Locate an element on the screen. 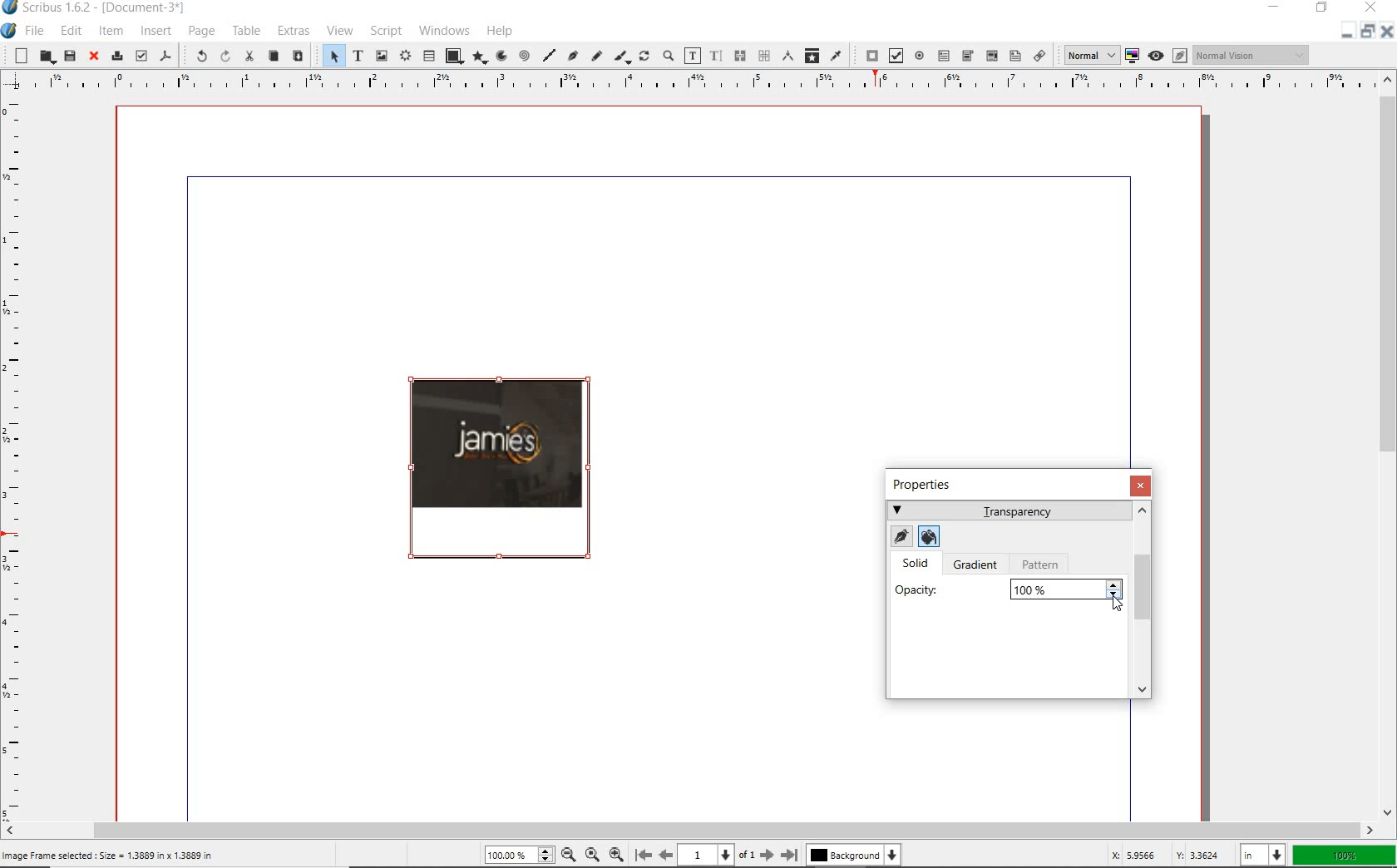 The height and width of the screenshot is (868, 1397). EDIT LINE COLOR PROPERTIES is located at coordinates (900, 537).